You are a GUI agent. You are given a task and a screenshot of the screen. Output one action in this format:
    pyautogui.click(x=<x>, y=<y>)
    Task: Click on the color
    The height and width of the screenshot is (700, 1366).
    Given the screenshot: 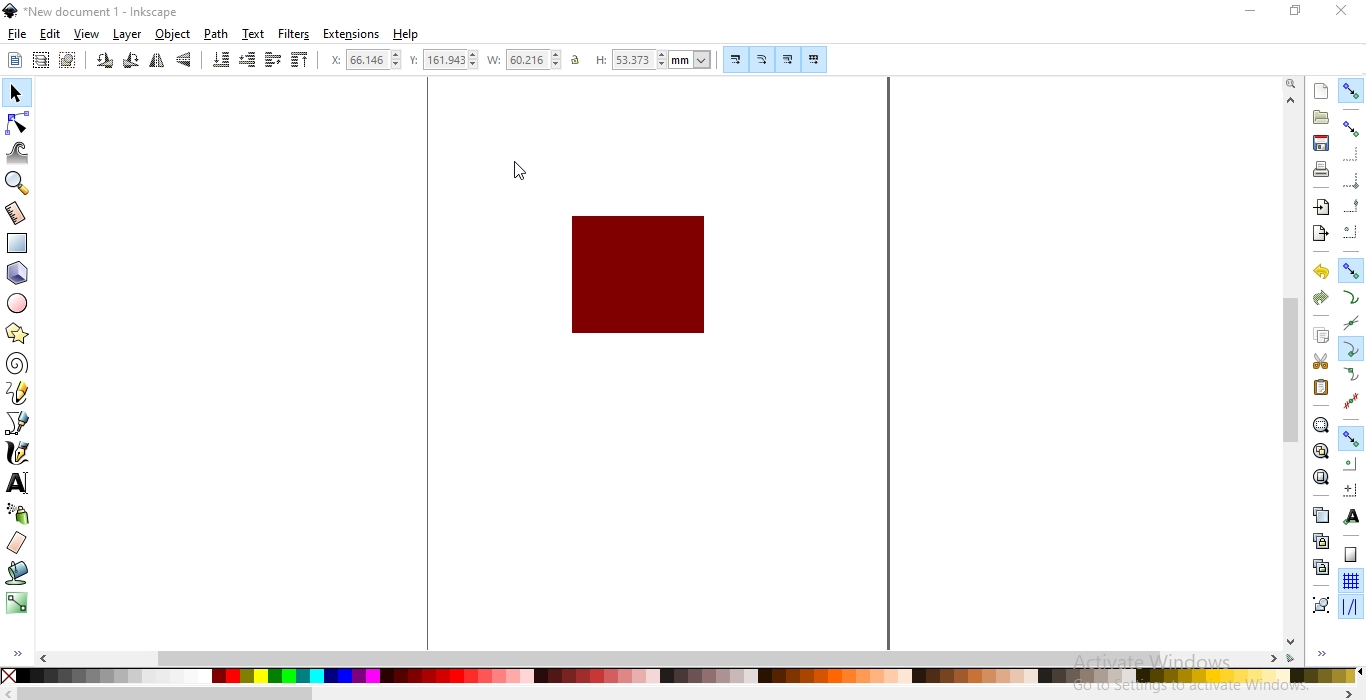 What is the action you would take?
    pyautogui.click(x=679, y=676)
    